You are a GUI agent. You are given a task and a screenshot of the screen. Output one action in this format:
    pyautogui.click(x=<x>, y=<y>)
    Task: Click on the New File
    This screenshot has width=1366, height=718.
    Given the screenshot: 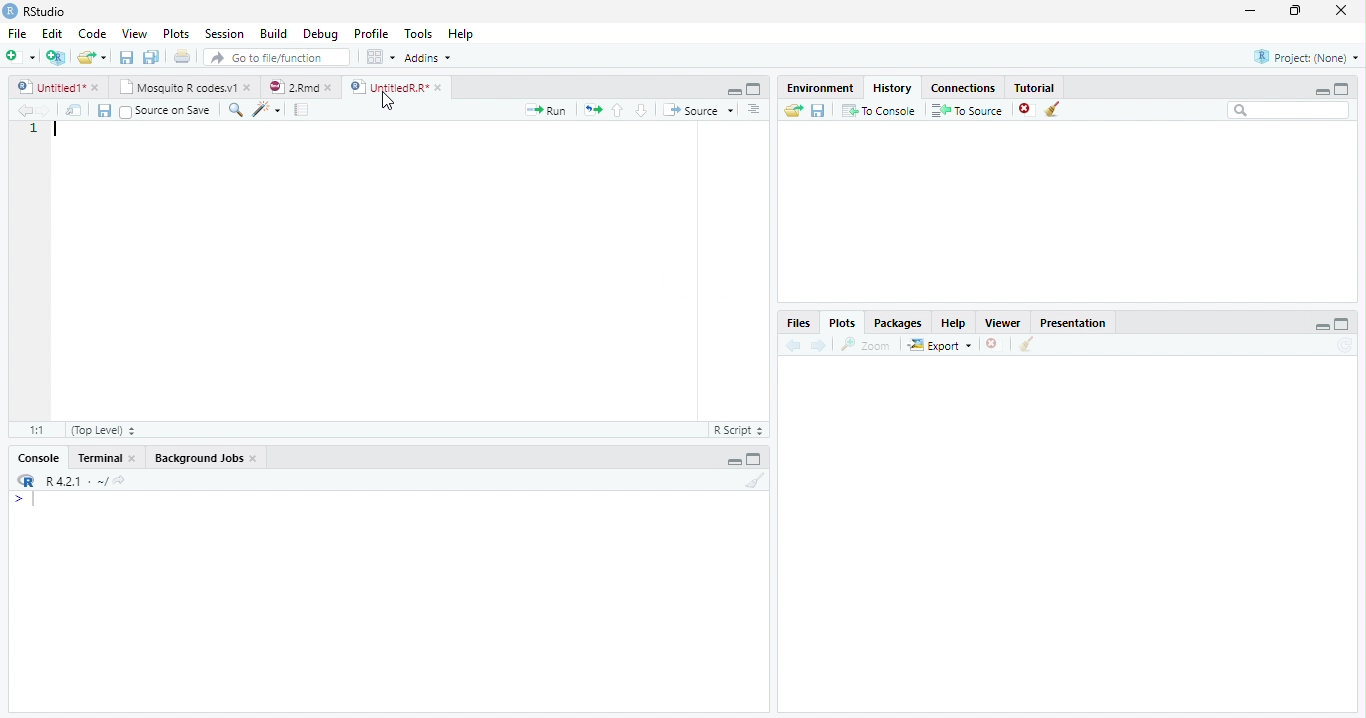 What is the action you would take?
    pyautogui.click(x=21, y=57)
    